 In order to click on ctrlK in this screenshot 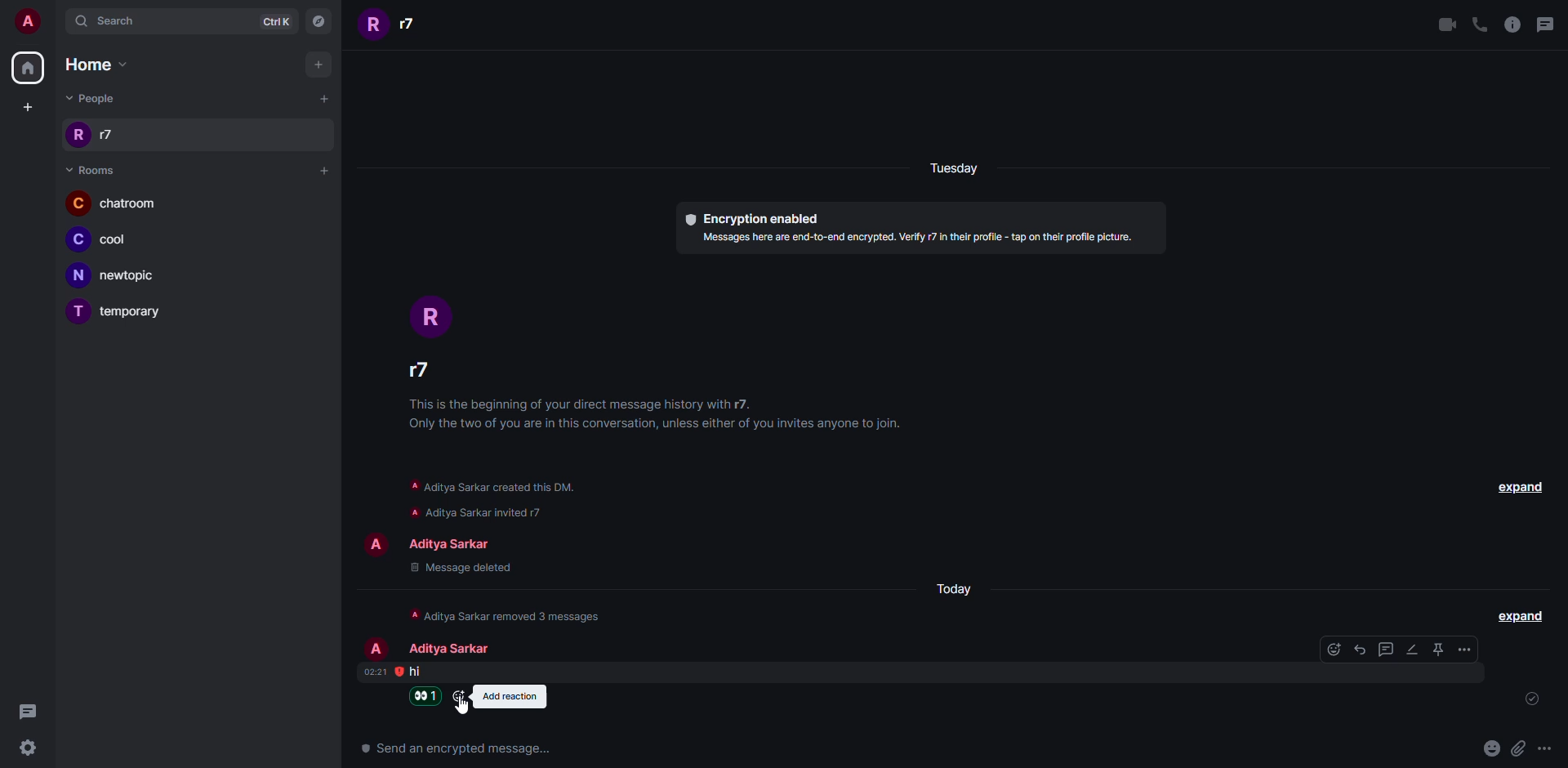, I will do `click(279, 21)`.